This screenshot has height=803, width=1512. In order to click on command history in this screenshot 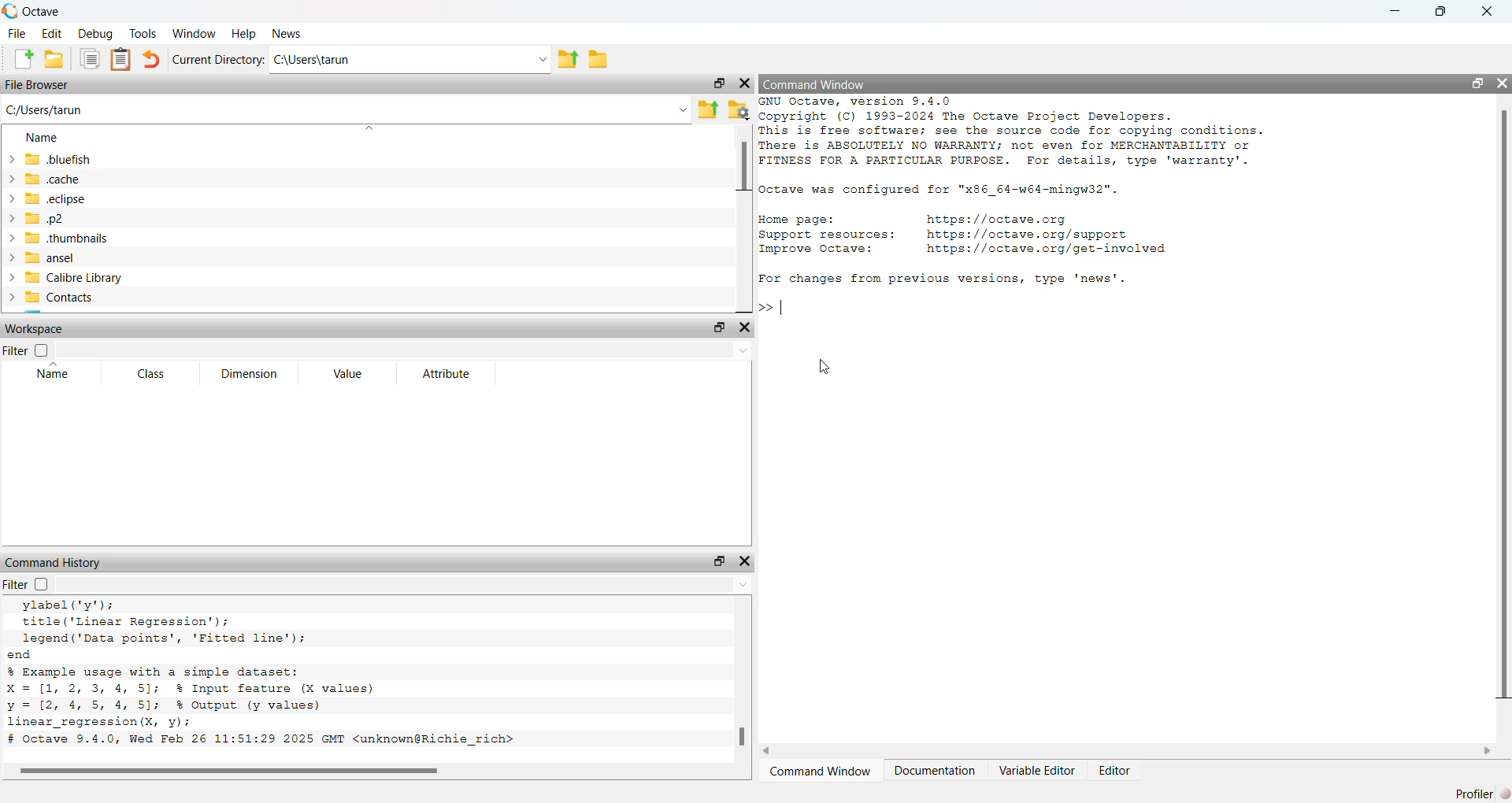, I will do `click(57, 561)`.